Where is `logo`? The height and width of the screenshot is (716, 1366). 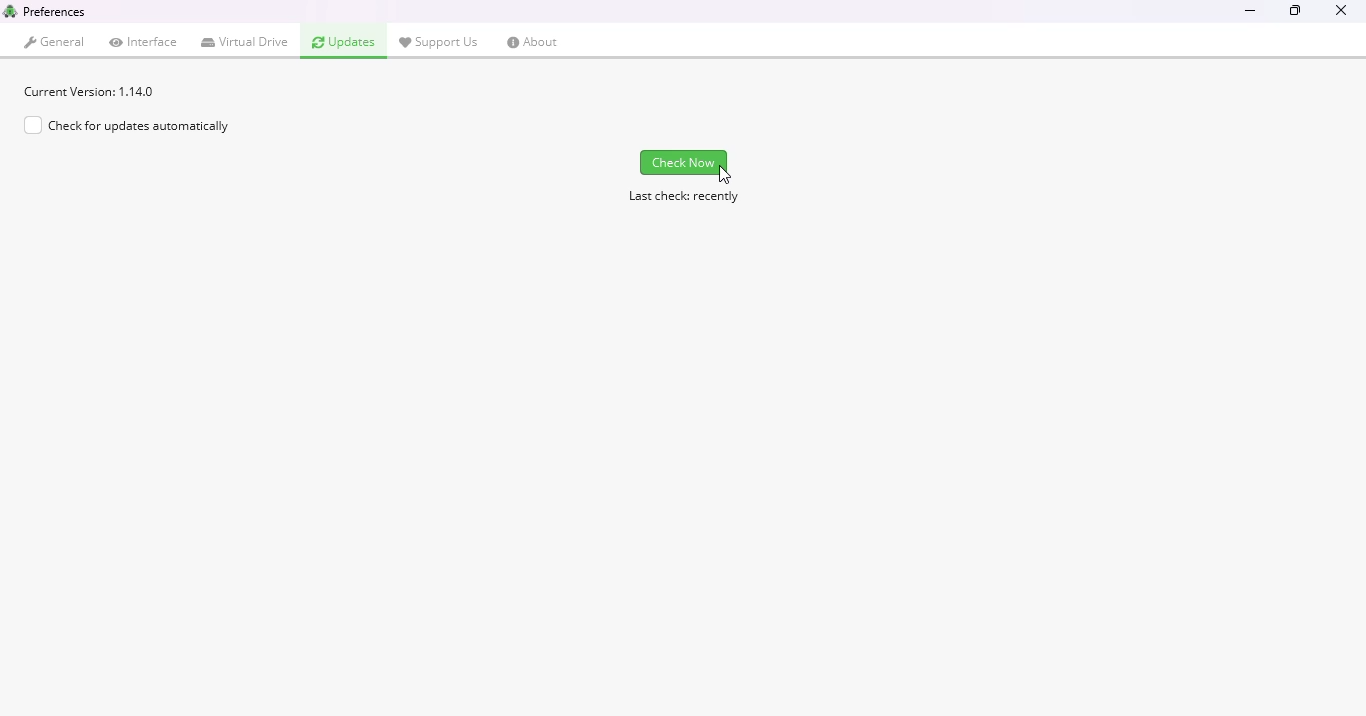
logo is located at coordinates (10, 10).